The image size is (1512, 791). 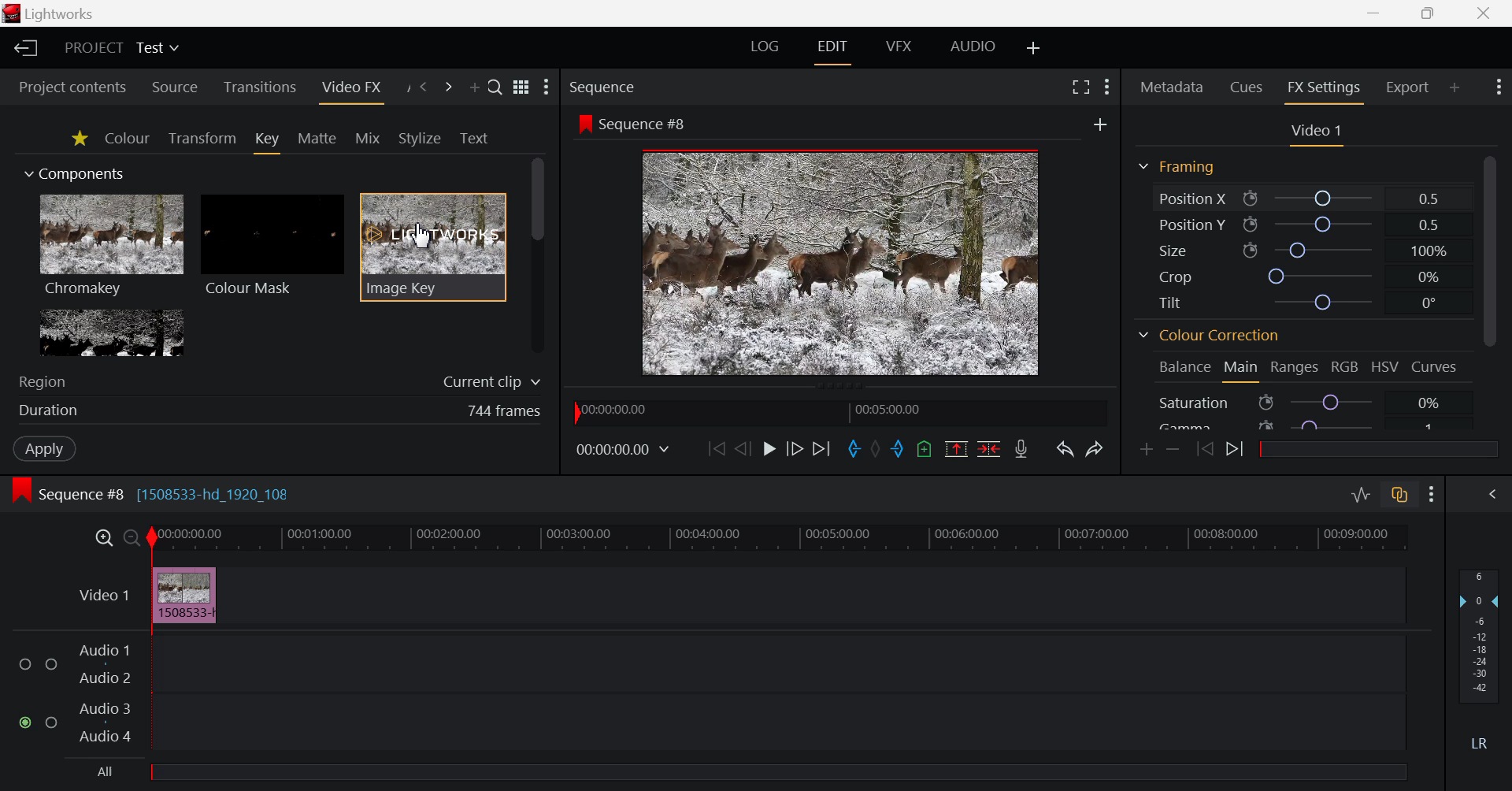 What do you see at coordinates (1429, 429) in the screenshot?
I see `1` at bounding box center [1429, 429].